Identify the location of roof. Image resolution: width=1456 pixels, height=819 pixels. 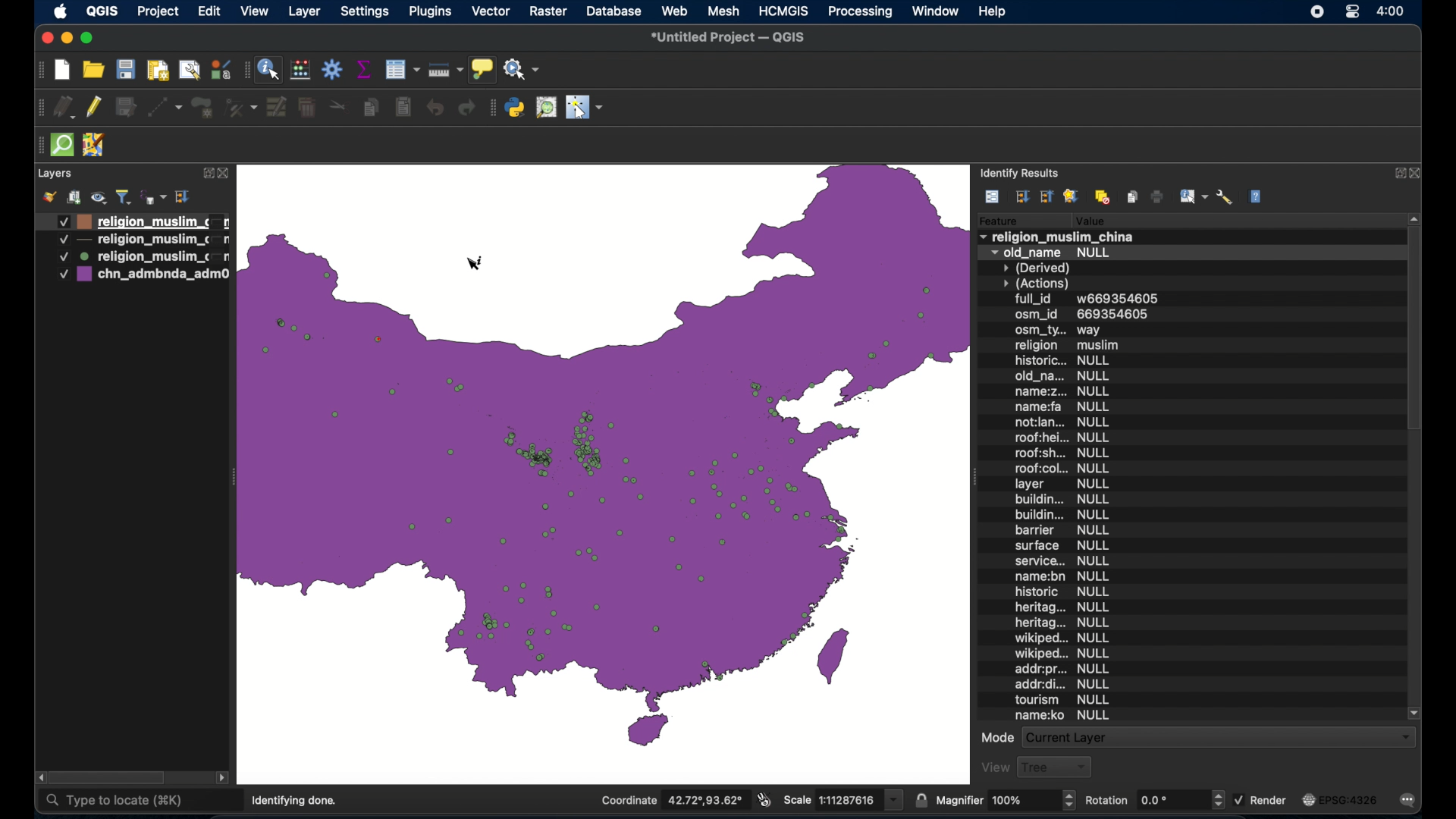
(1061, 469).